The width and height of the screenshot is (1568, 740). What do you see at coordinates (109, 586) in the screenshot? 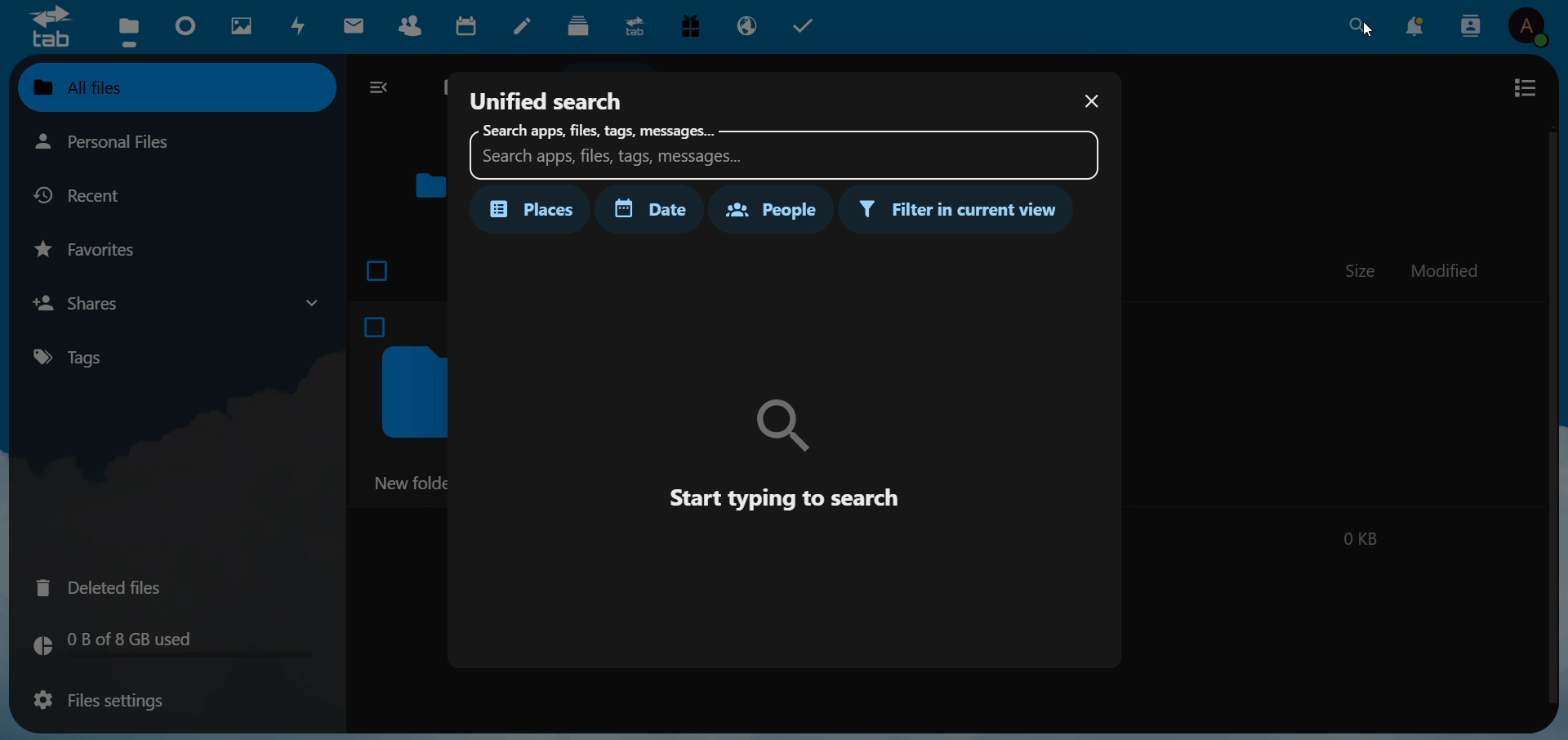
I see `deleted files` at bounding box center [109, 586].